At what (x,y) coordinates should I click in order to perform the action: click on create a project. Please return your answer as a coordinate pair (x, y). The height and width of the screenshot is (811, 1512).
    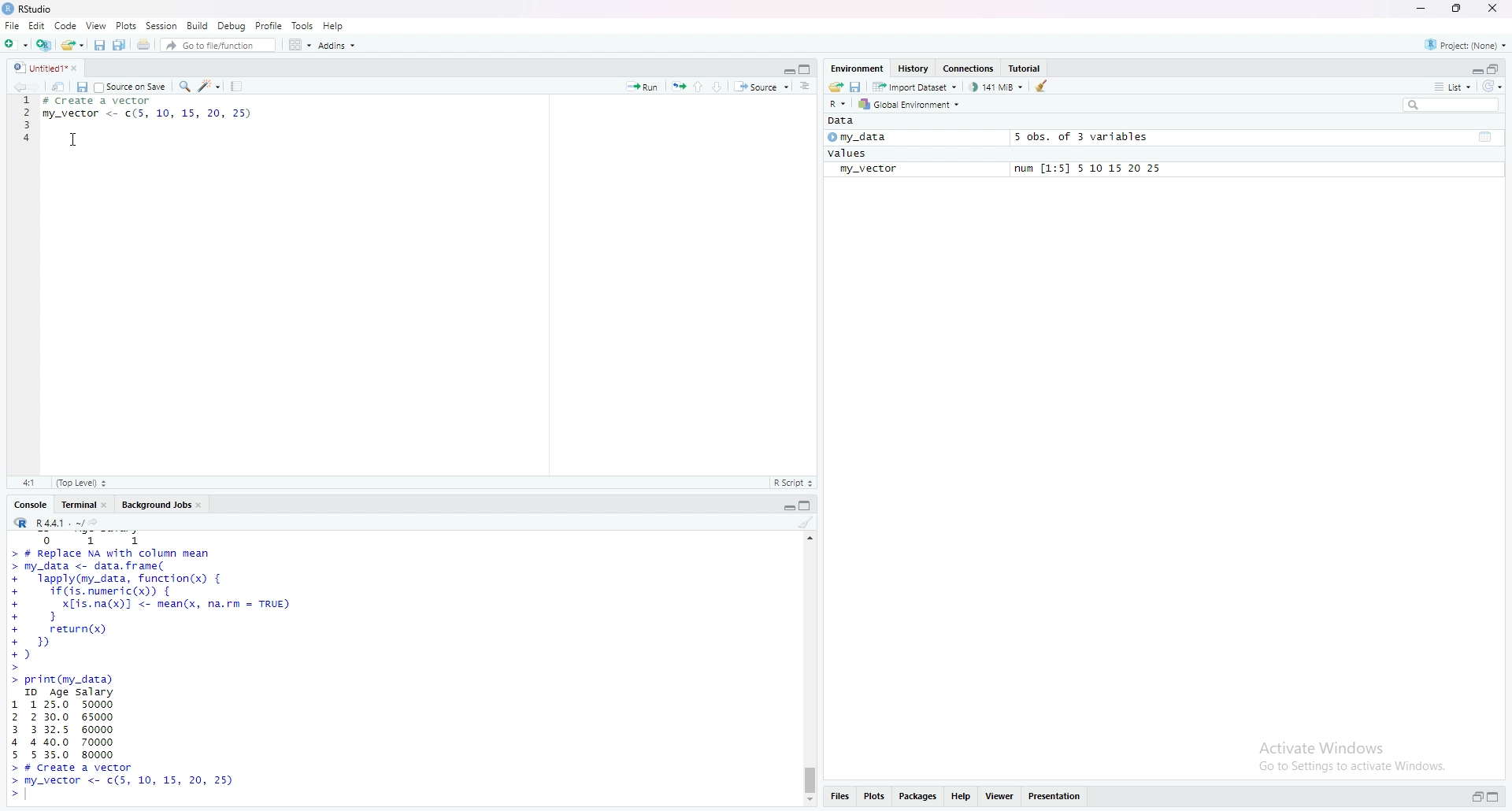
    Looking at the image, I should click on (45, 45).